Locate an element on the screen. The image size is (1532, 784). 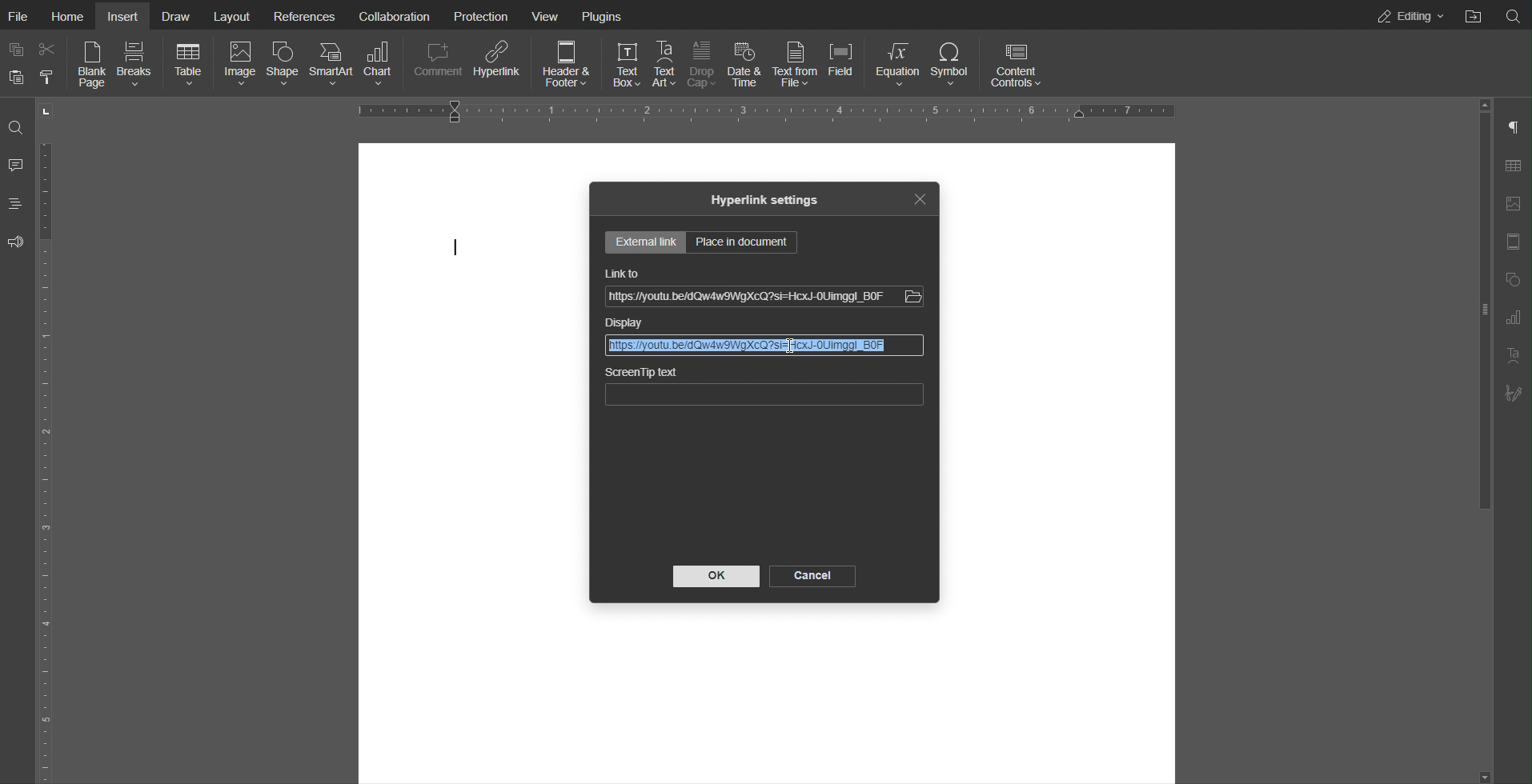
OK is located at coordinates (717, 577).